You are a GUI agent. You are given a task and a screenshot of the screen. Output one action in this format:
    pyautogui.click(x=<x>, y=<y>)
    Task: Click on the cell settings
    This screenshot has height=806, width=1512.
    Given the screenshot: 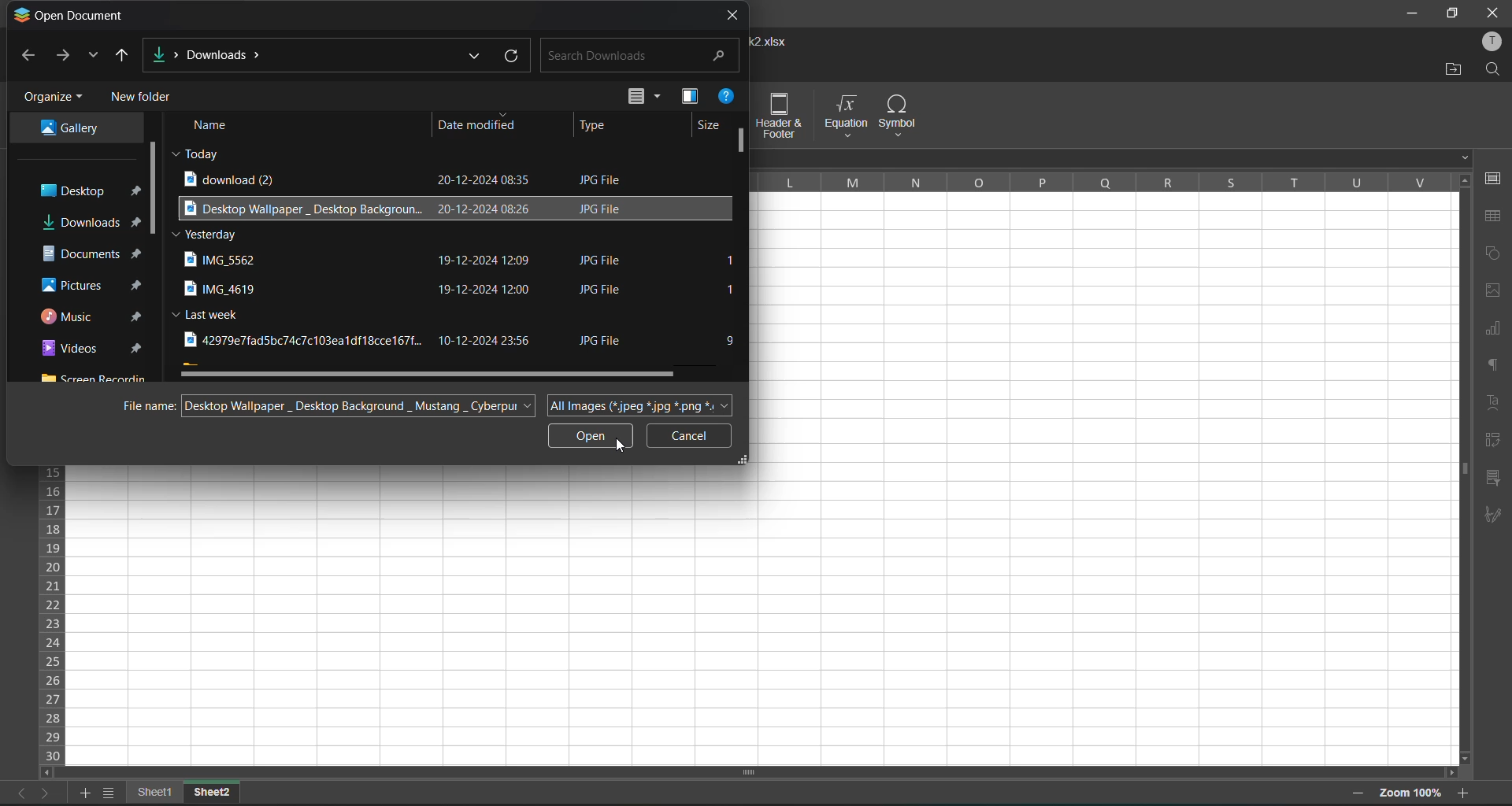 What is the action you would take?
    pyautogui.click(x=1495, y=179)
    